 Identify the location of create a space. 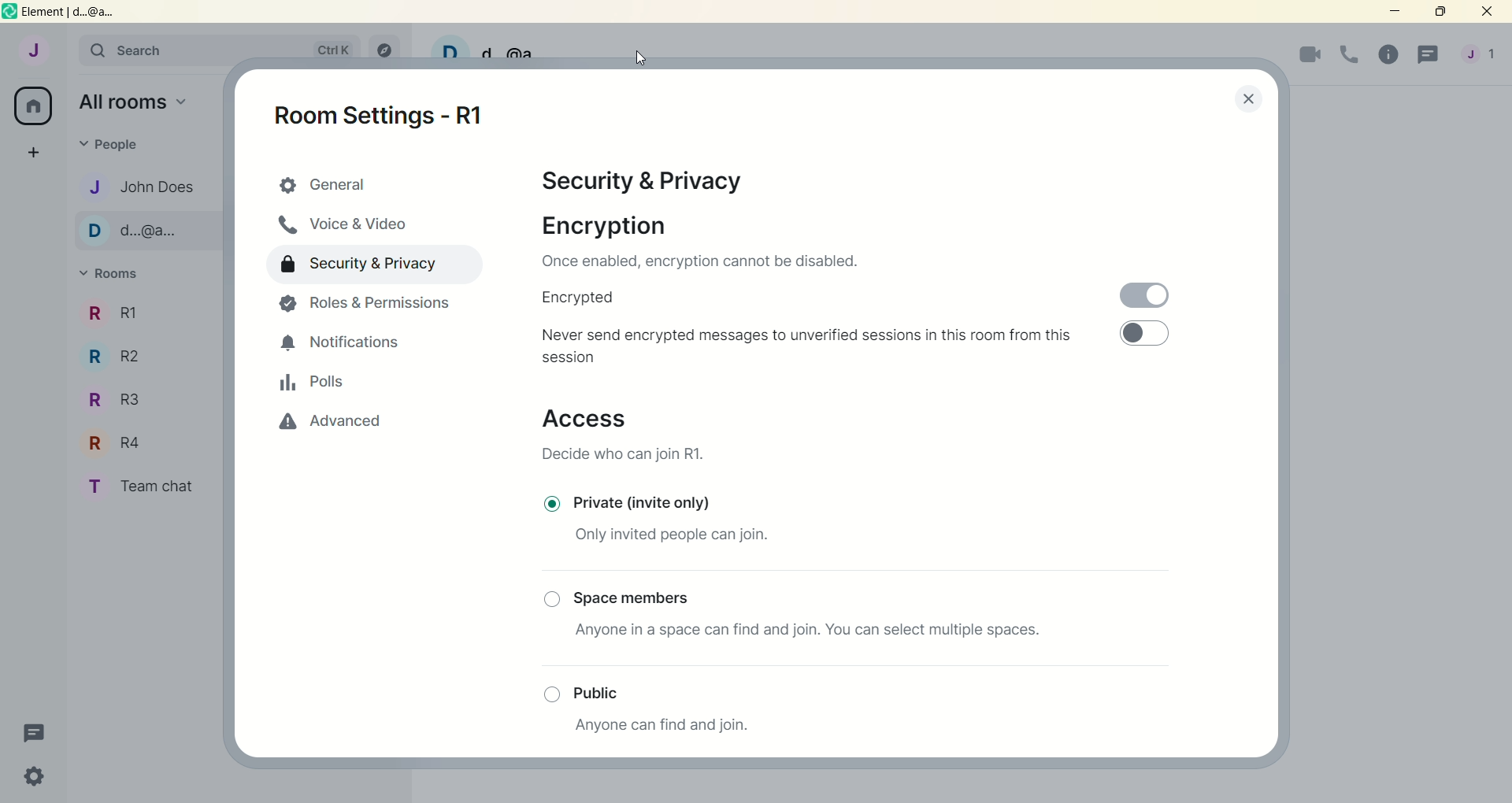
(34, 154).